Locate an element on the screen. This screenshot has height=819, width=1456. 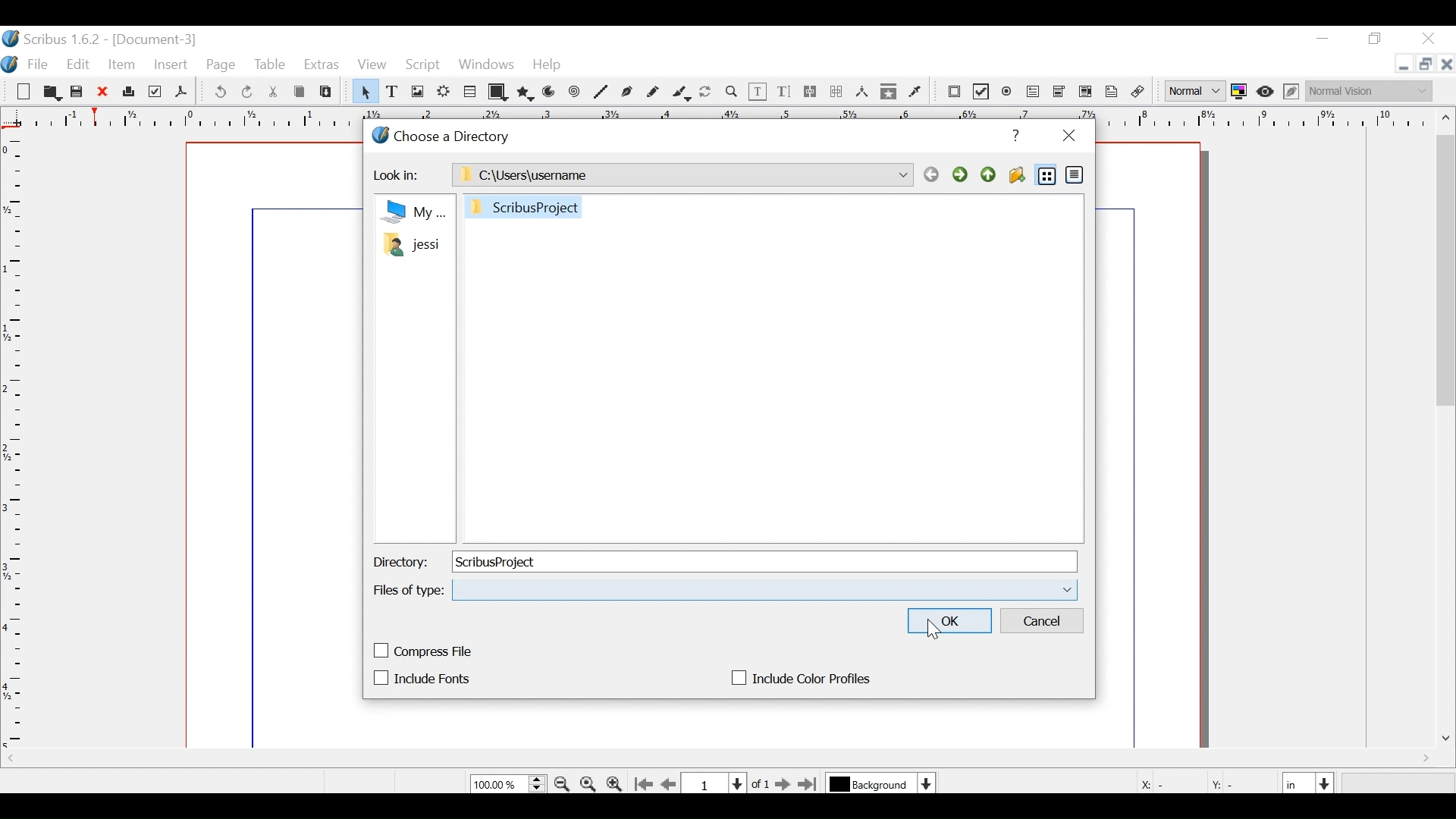
(un)check Include Fonts is located at coordinates (425, 677).